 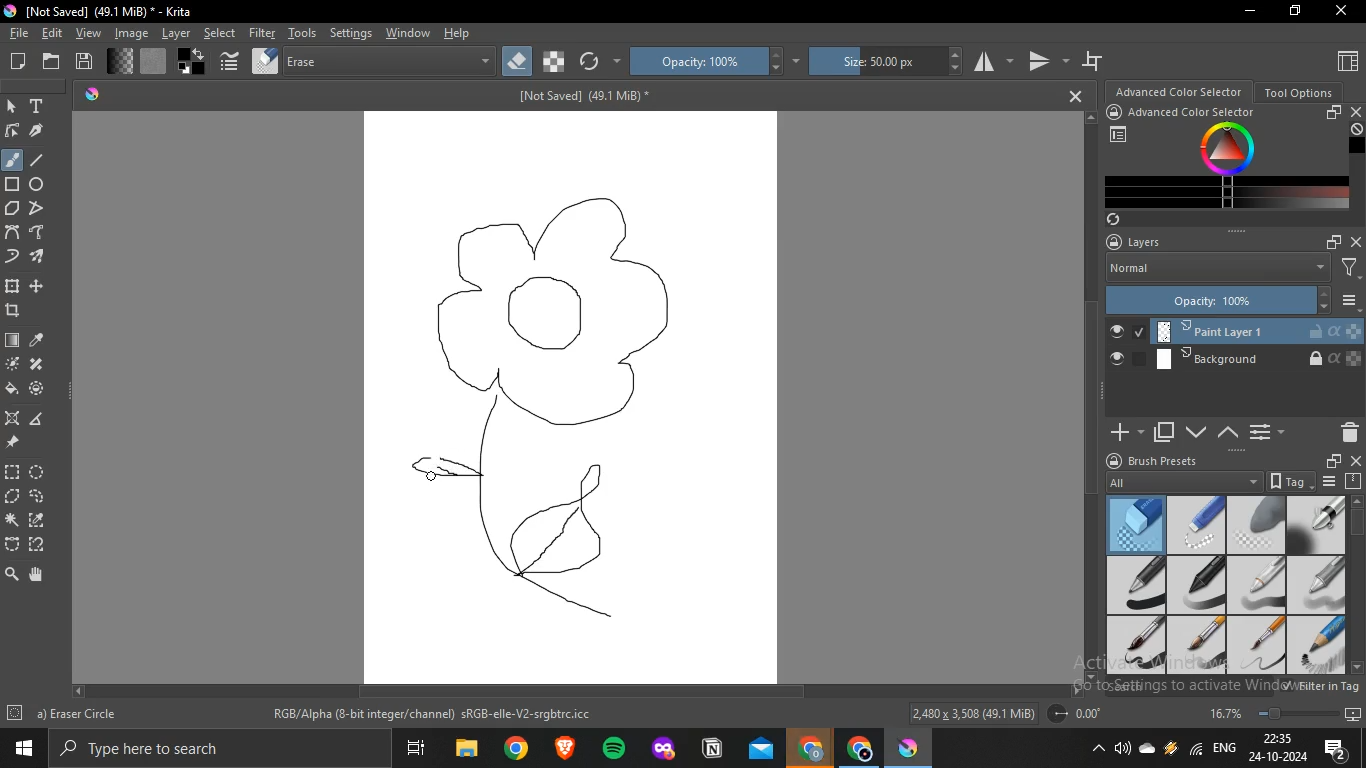 I want to click on b) Basic-6 Details, so click(x=84, y=713).